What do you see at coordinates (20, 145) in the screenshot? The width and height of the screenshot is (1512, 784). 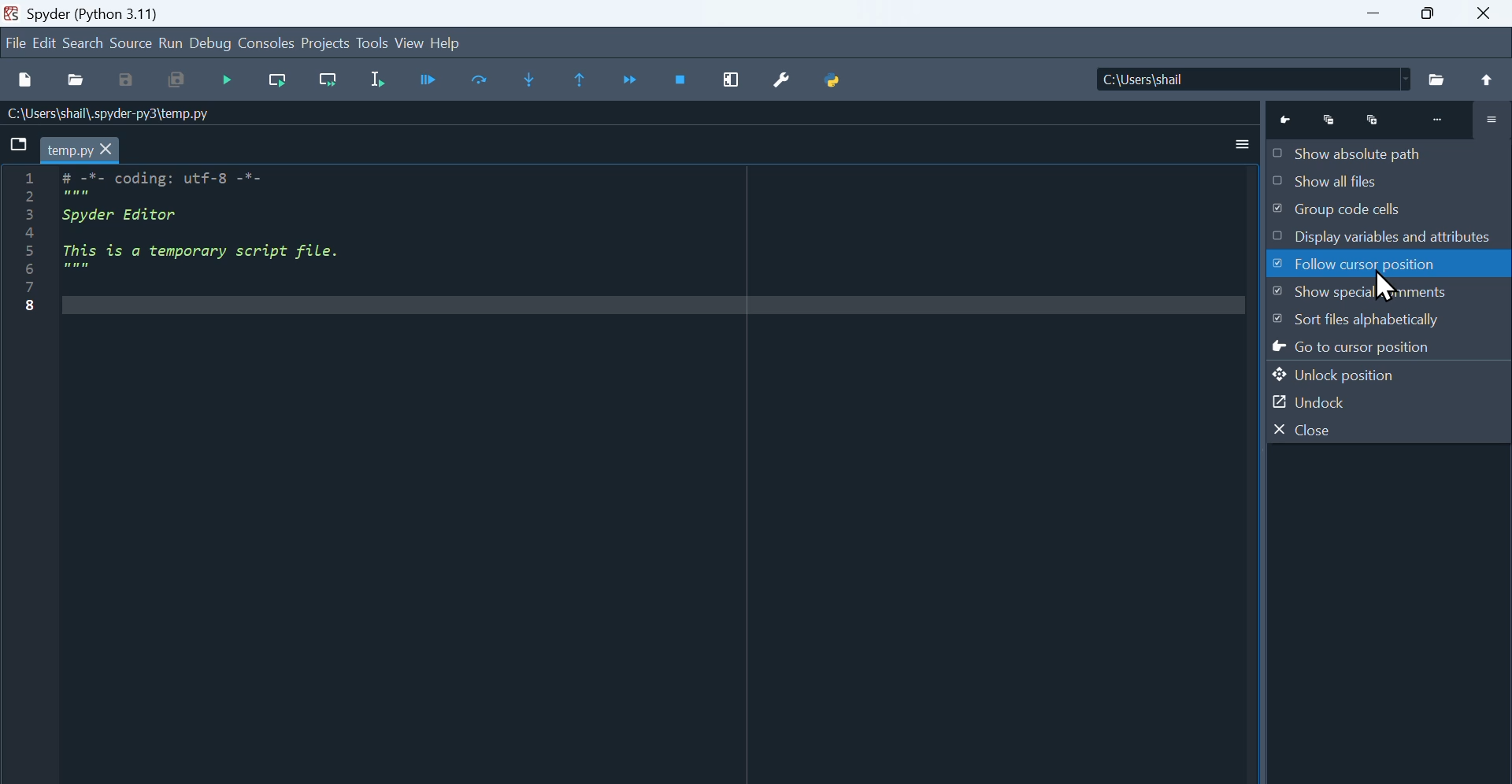 I see `browse tabs` at bounding box center [20, 145].